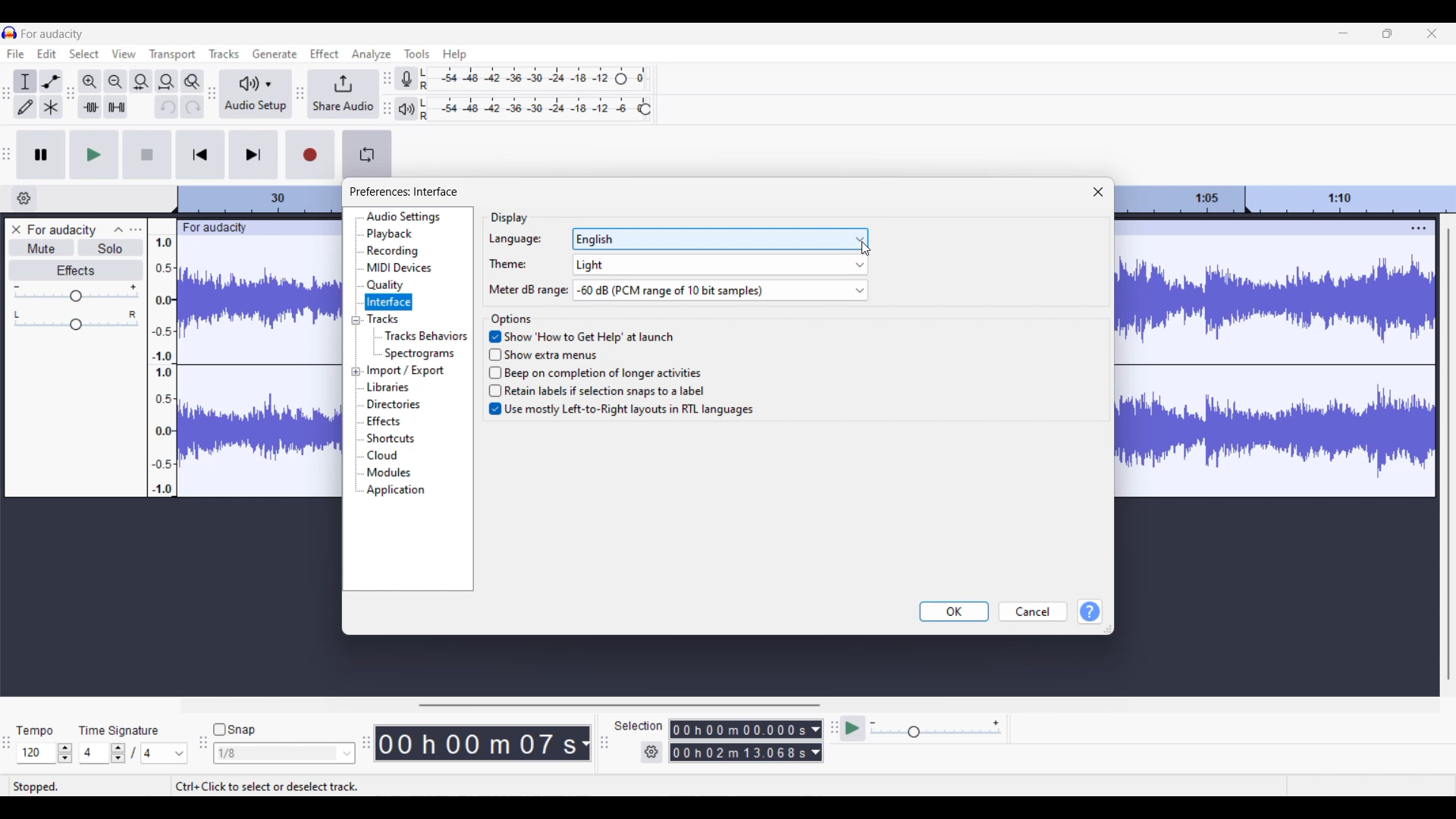 The height and width of the screenshot is (819, 1456). Describe the element at coordinates (41, 249) in the screenshot. I see `Mute` at that location.